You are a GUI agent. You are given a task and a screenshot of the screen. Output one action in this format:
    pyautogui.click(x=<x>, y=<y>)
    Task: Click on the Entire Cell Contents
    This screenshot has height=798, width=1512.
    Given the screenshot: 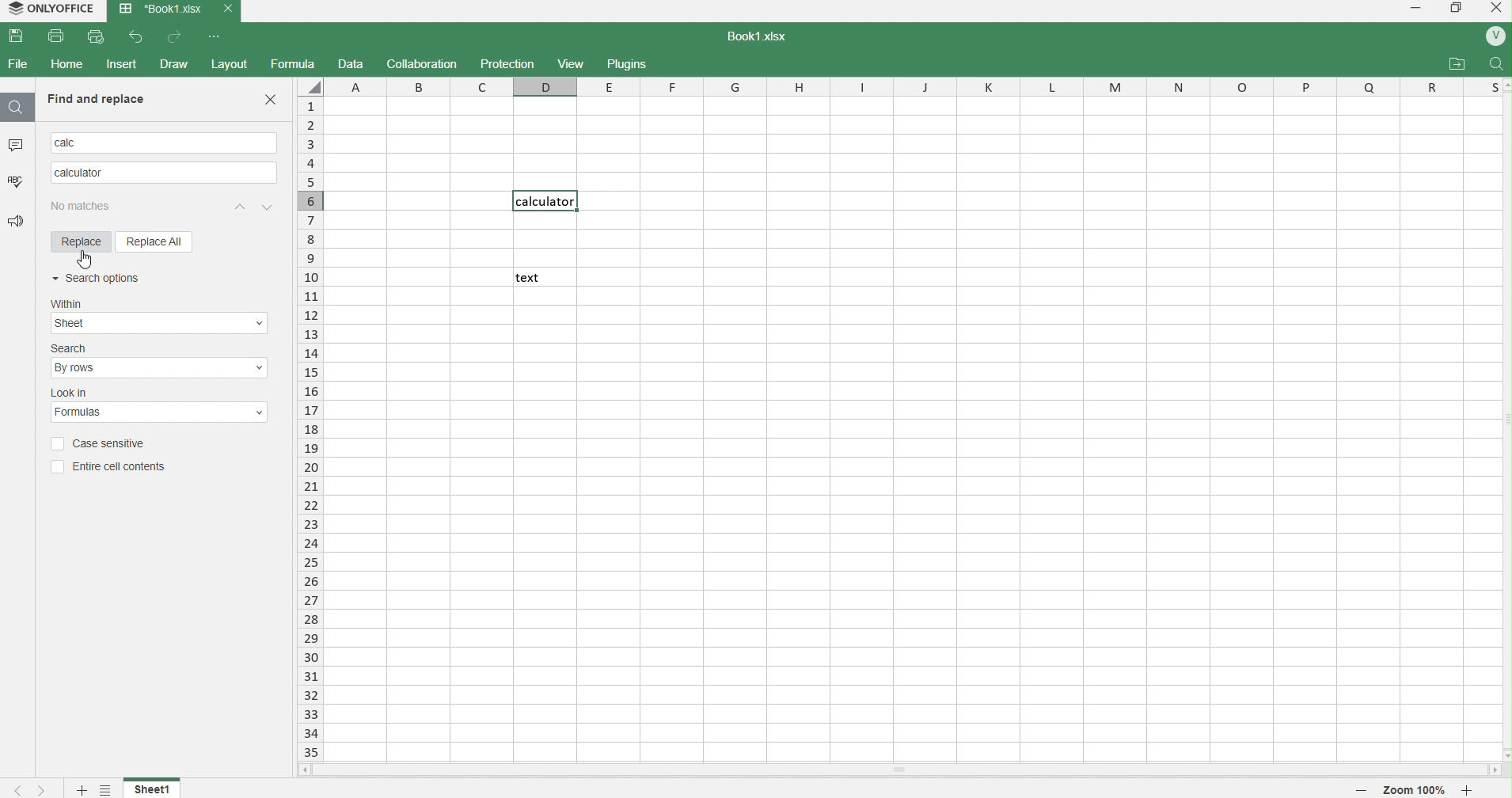 What is the action you would take?
    pyautogui.click(x=113, y=466)
    